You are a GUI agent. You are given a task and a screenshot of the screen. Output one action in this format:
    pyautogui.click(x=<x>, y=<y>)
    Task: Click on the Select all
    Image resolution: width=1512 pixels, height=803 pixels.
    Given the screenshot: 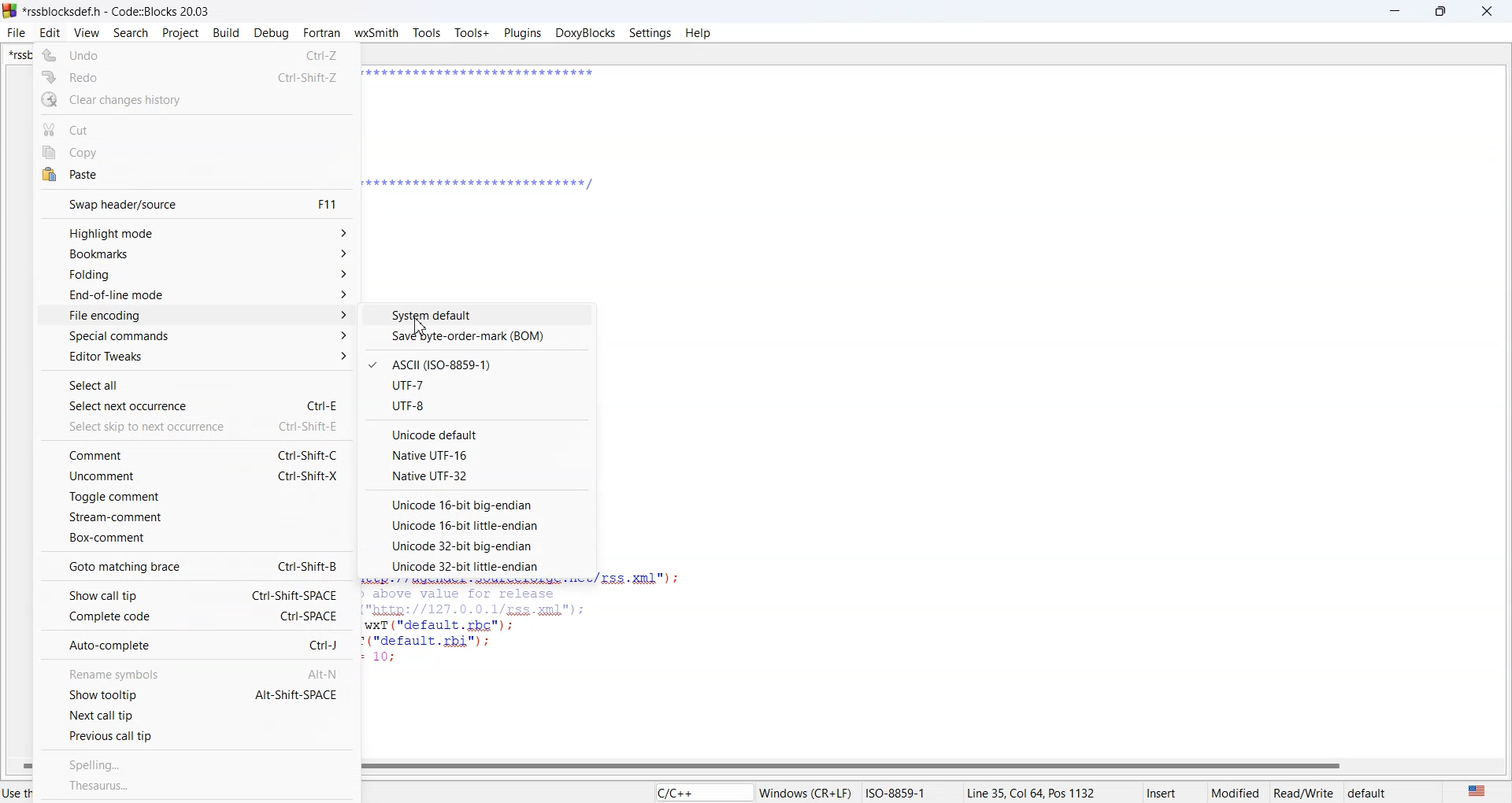 What is the action you would take?
    pyautogui.click(x=197, y=383)
    